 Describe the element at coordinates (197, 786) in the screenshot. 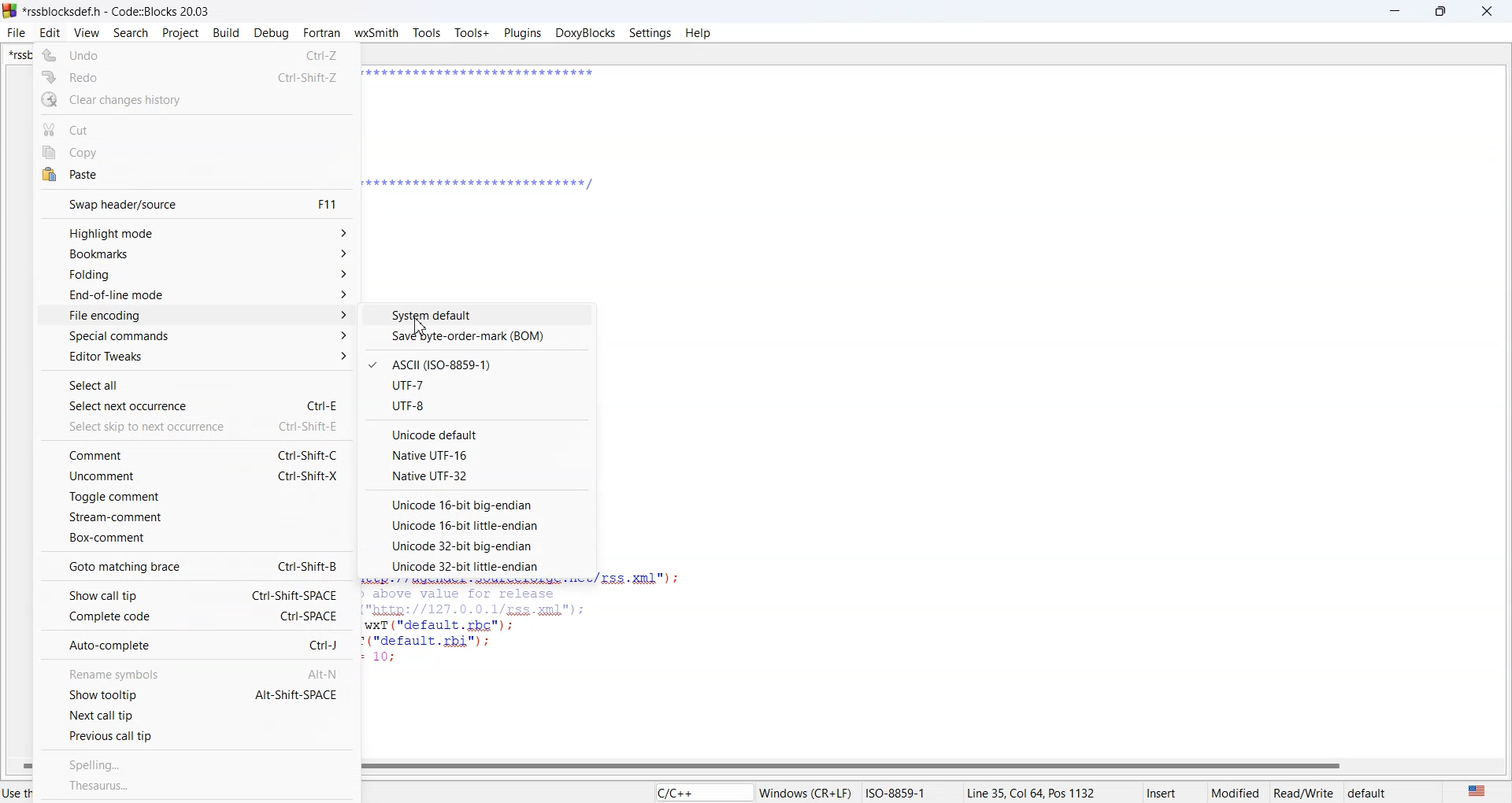

I see `Thesaurus` at that location.